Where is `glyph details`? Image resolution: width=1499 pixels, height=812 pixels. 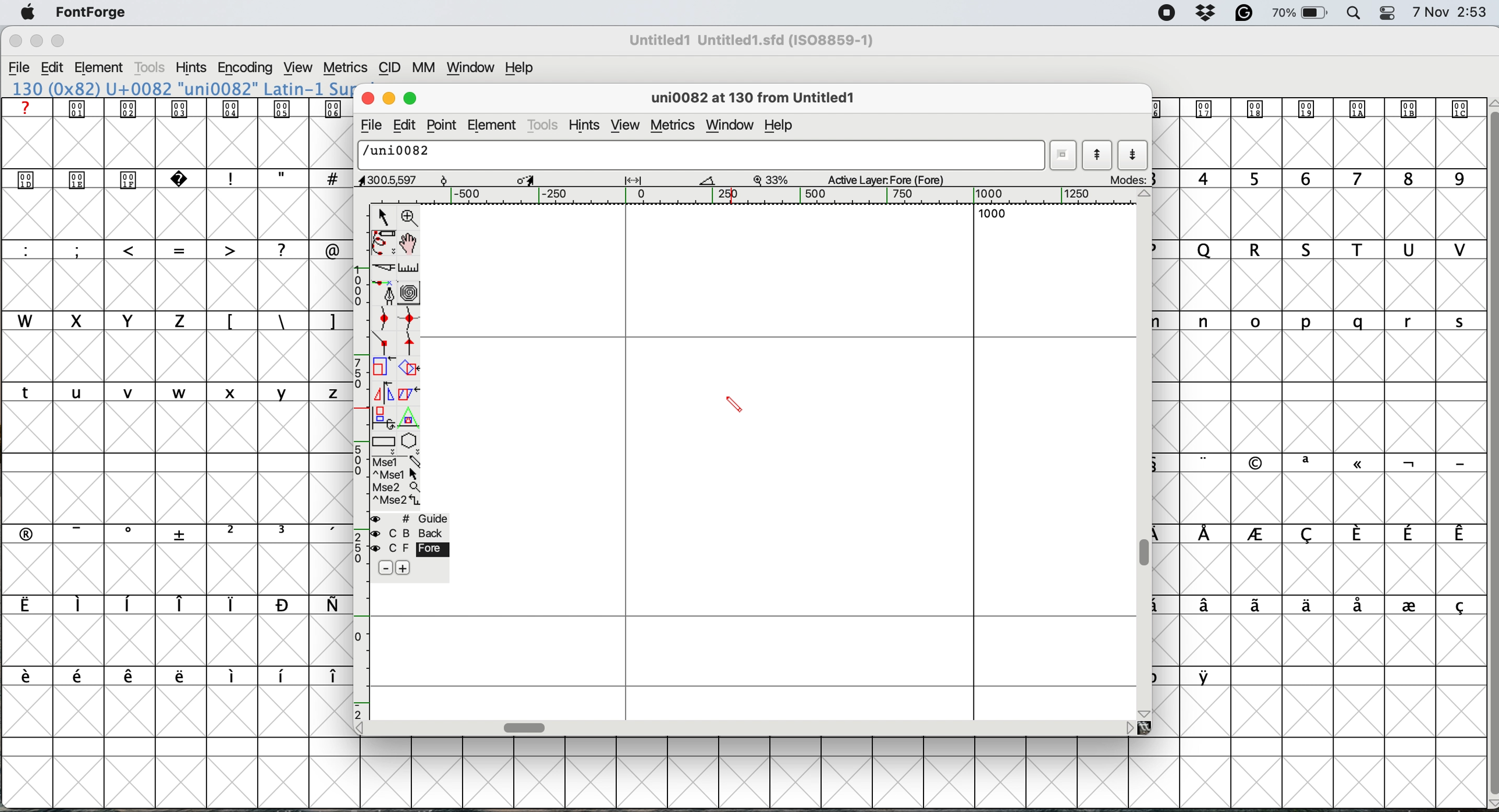 glyph details is located at coordinates (539, 180).